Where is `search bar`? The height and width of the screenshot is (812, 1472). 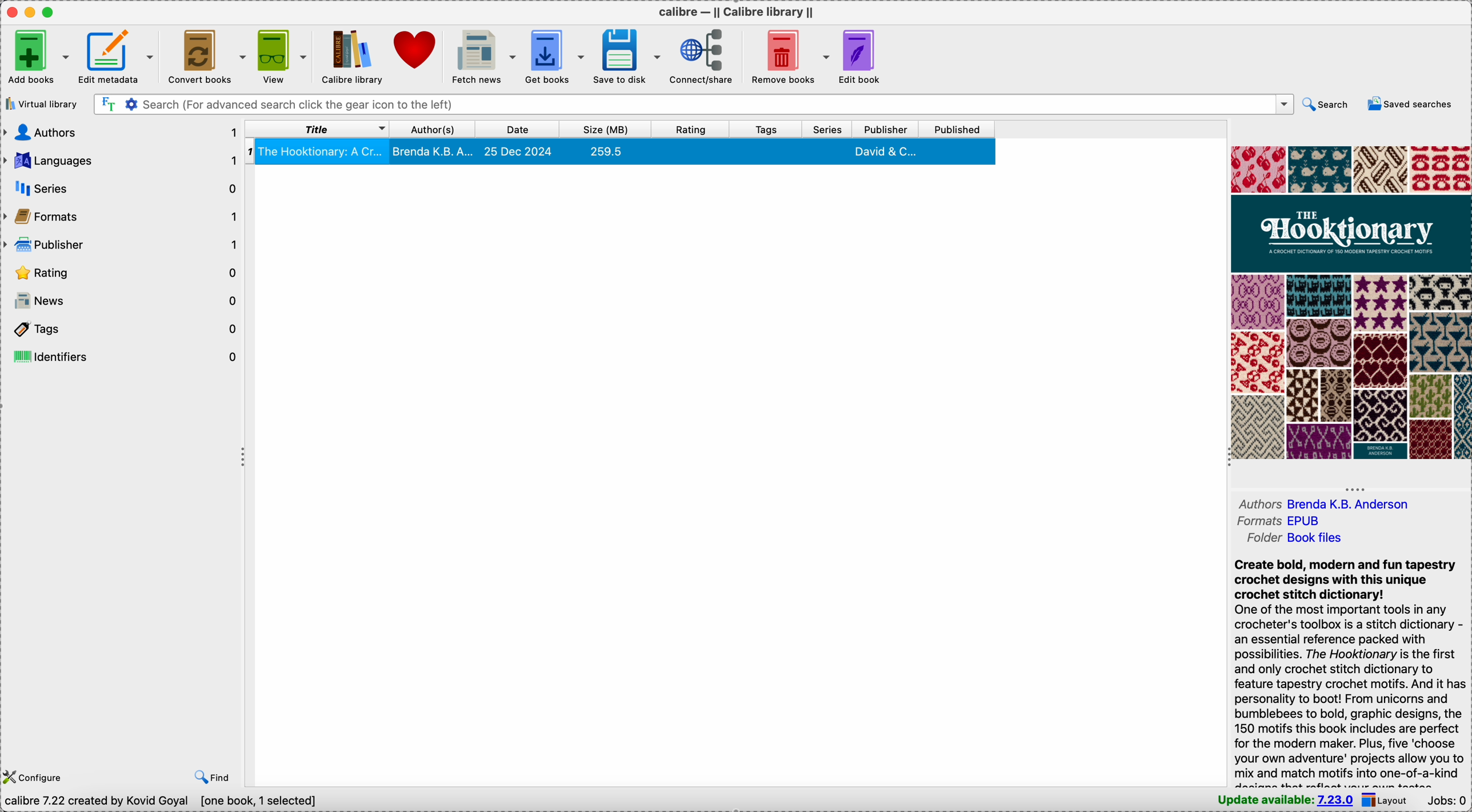
search bar is located at coordinates (694, 105).